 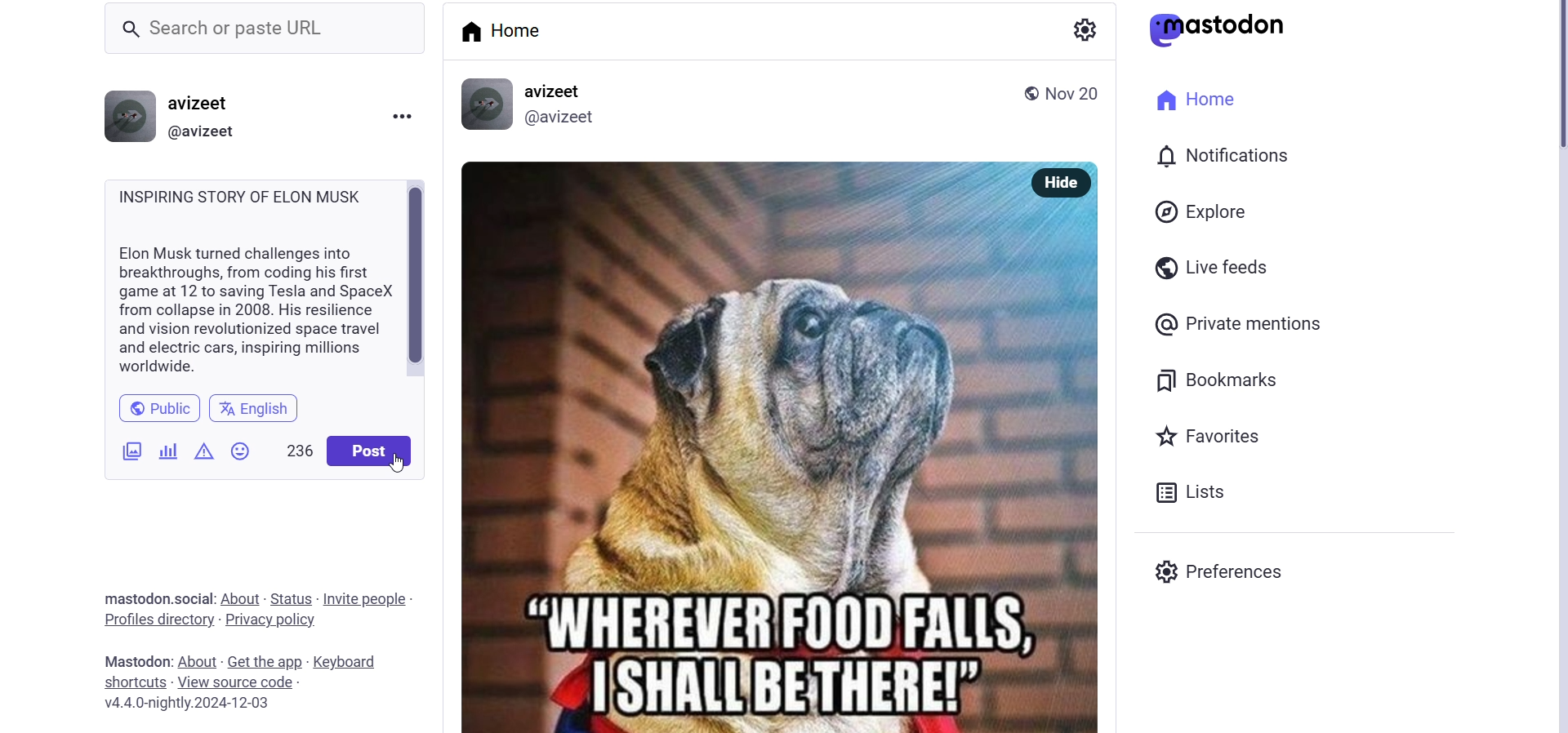 What do you see at coordinates (507, 36) in the screenshot?
I see `home tab` at bounding box center [507, 36].